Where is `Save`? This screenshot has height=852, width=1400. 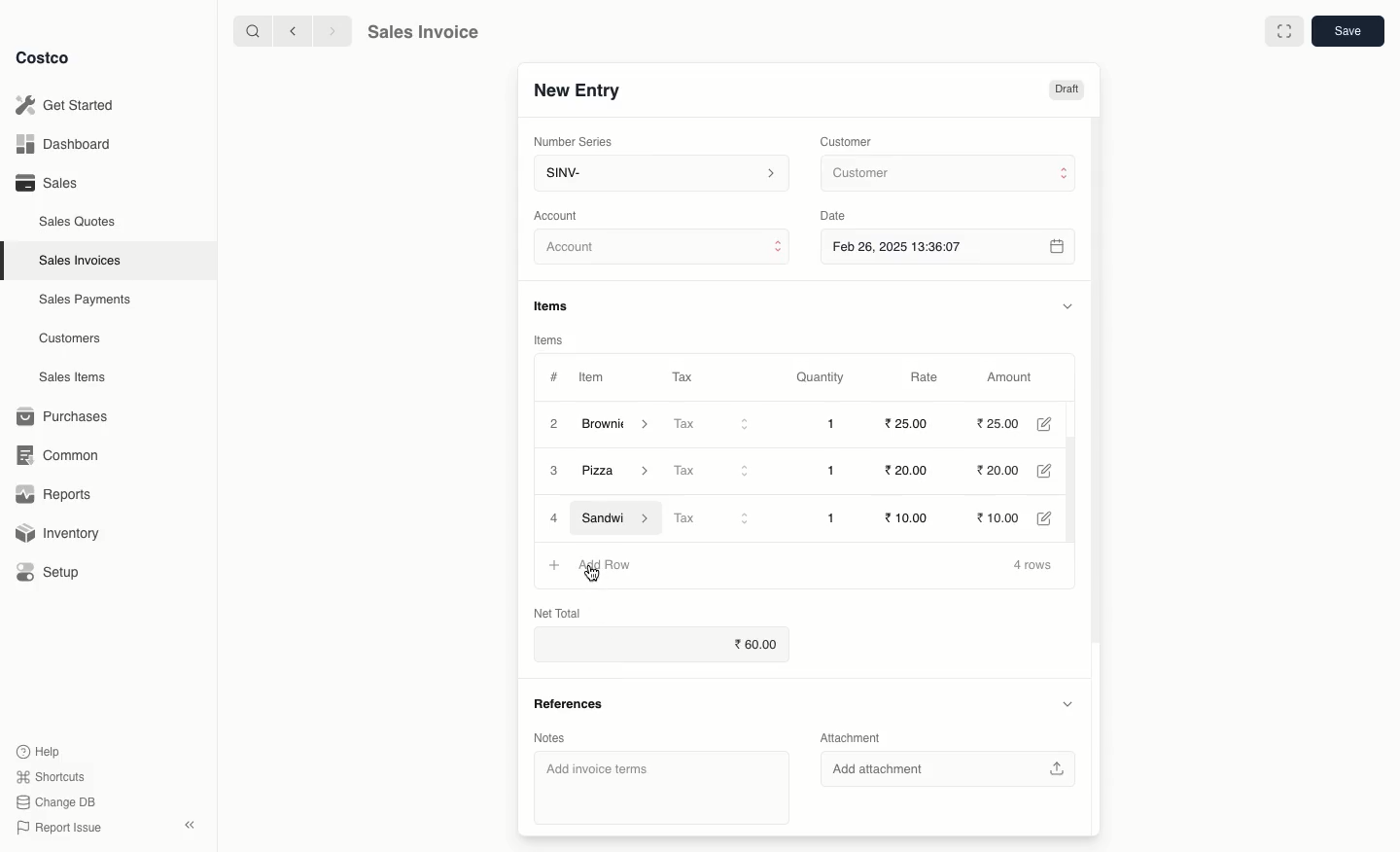 Save is located at coordinates (1350, 33).